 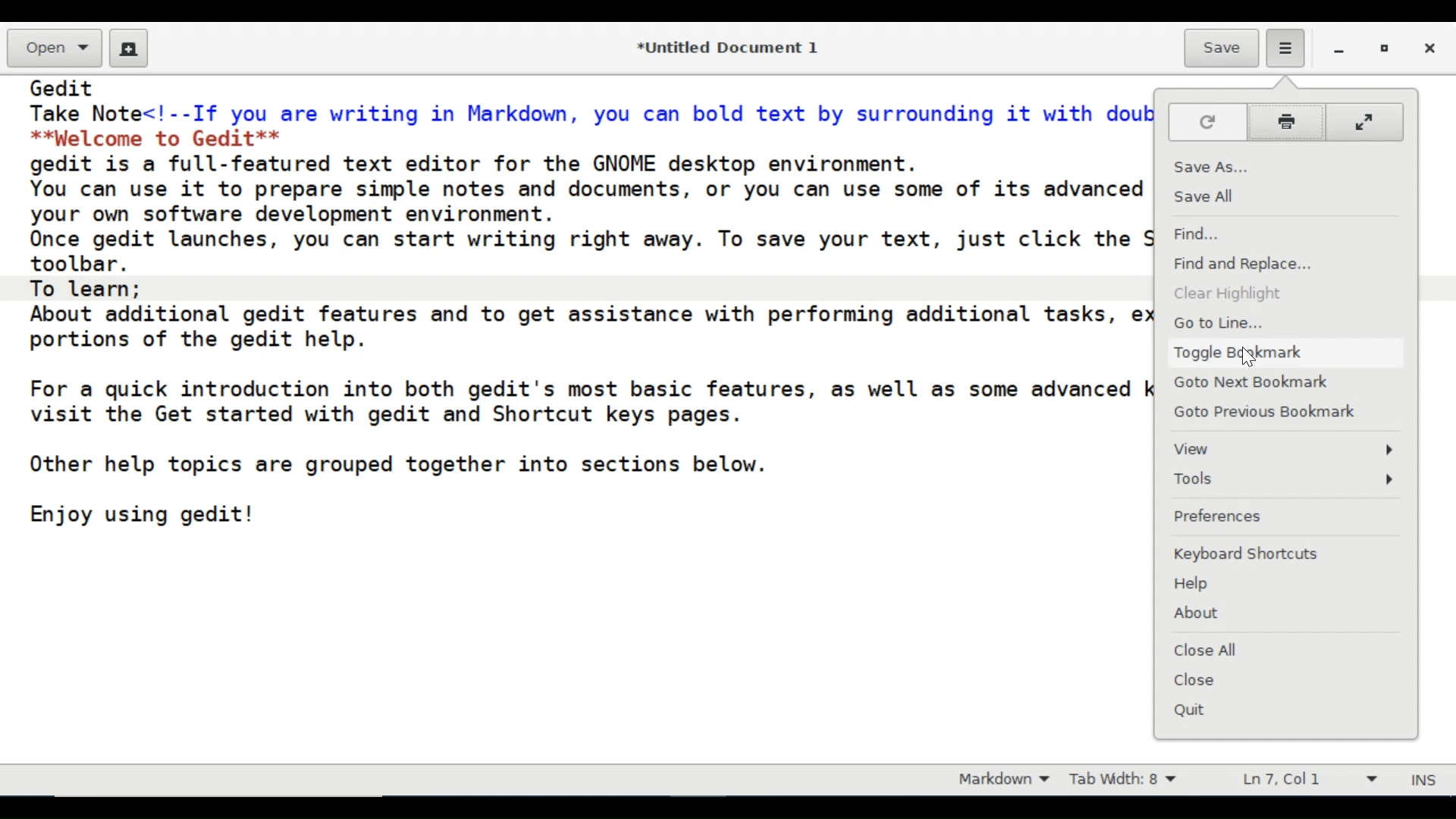 What do you see at coordinates (591, 114) in the screenshot?
I see `Take Note<!--If you are writing in Markdown, you can bold text by surrounding it with double asterisks:-->` at bounding box center [591, 114].